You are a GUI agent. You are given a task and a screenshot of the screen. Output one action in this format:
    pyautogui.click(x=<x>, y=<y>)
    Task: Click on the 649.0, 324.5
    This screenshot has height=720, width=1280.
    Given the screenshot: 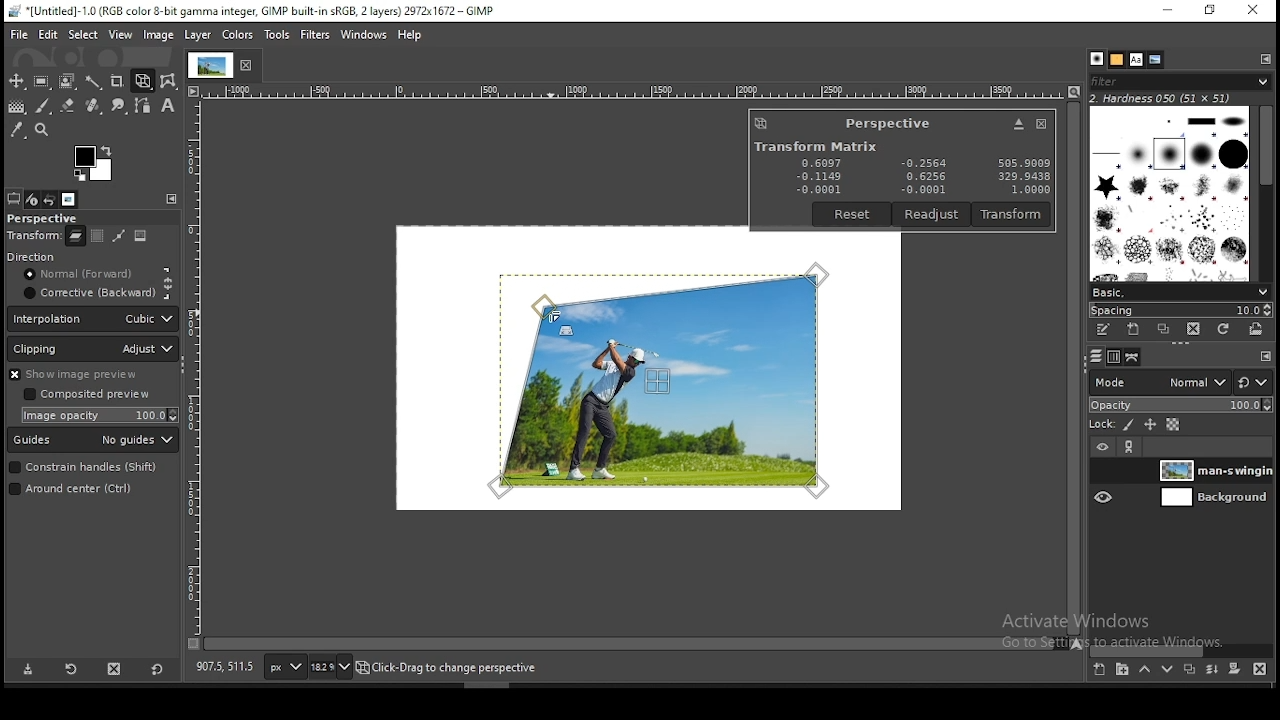 What is the action you would take?
    pyautogui.click(x=224, y=668)
    